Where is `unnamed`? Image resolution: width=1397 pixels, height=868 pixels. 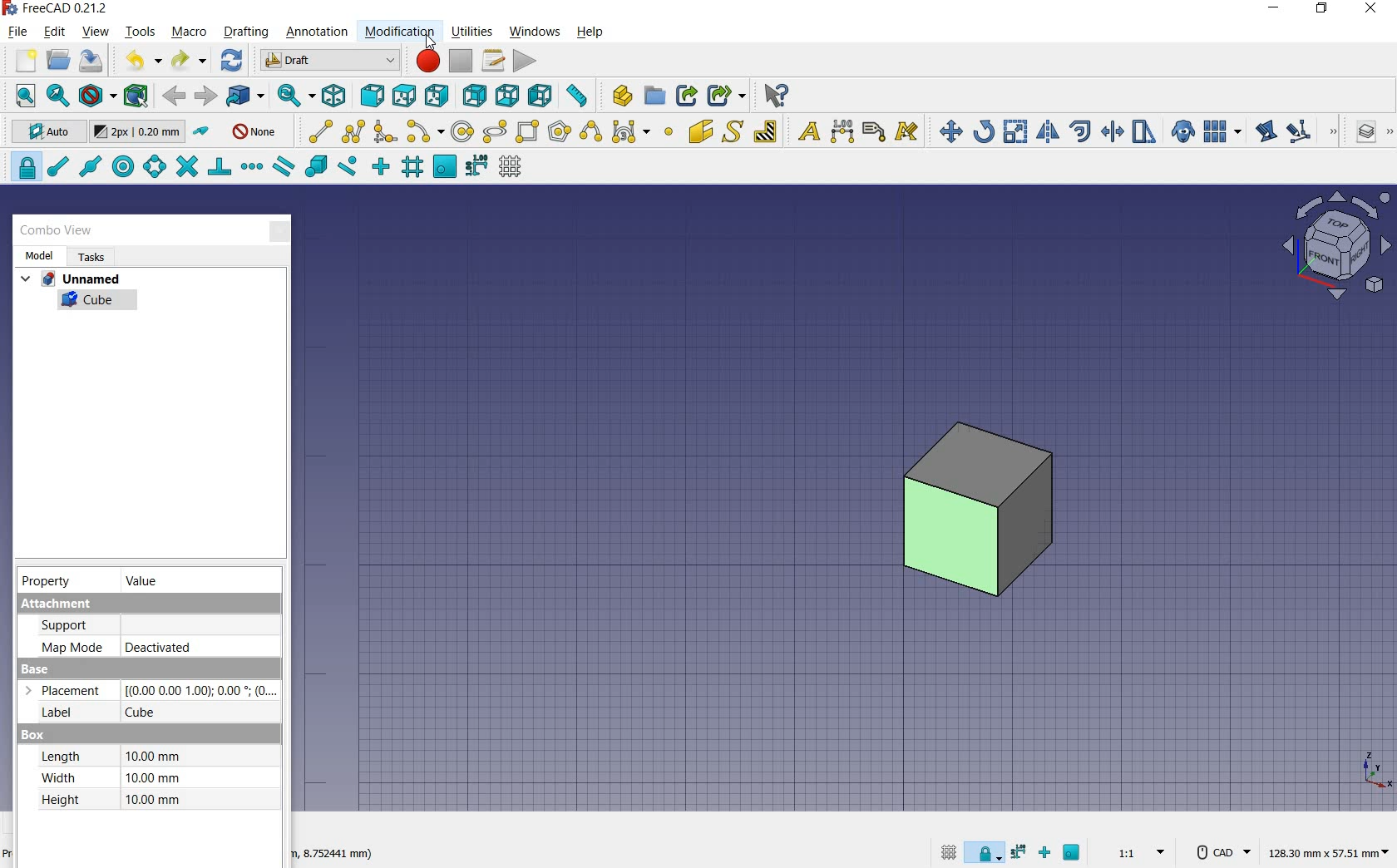
unnamed is located at coordinates (70, 279).